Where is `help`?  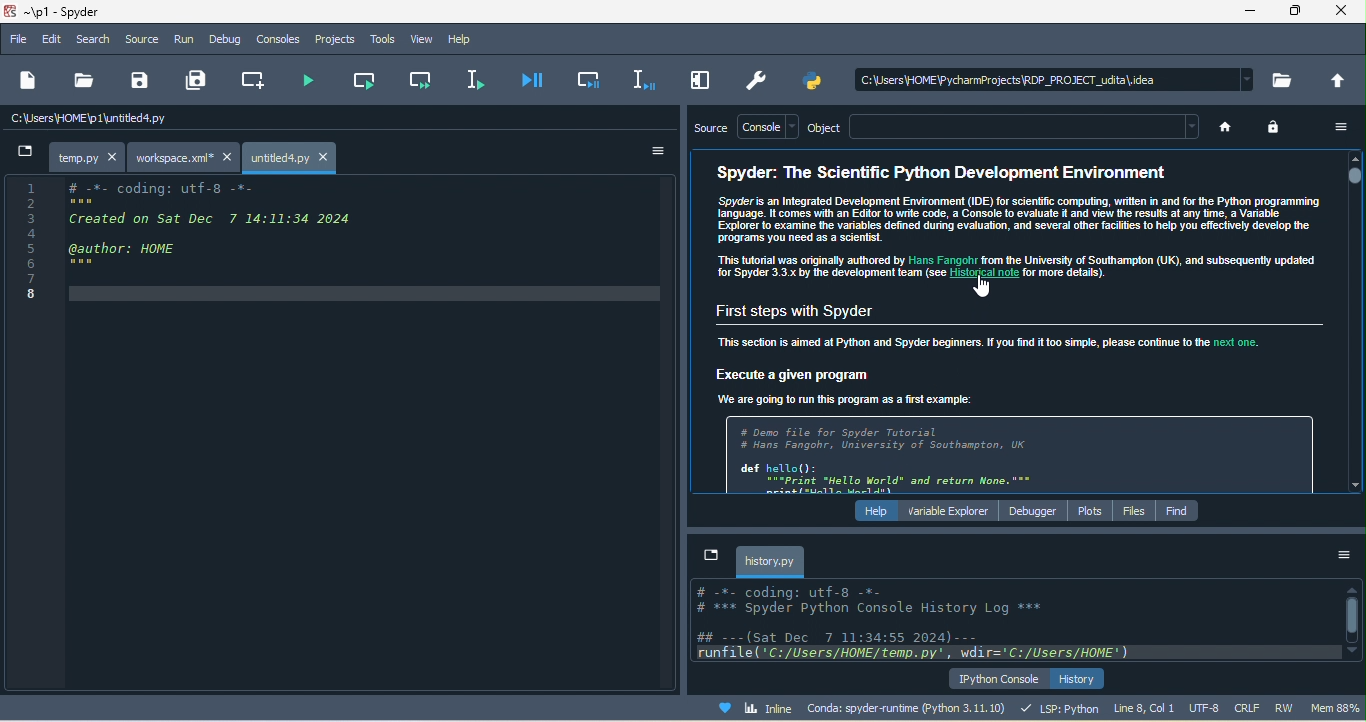
help is located at coordinates (469, 38).